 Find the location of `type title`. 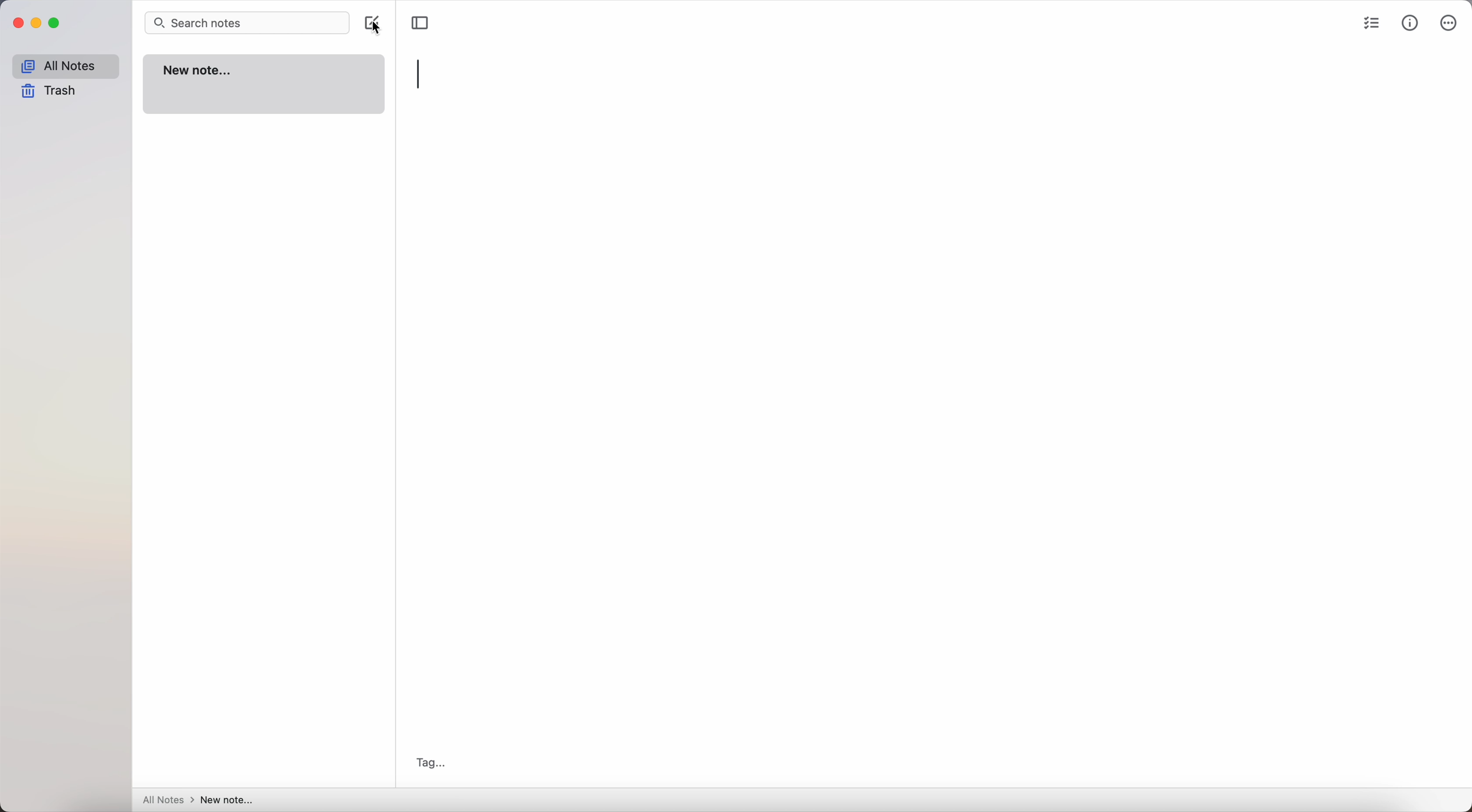

type title is located at coordinates (422, 75).